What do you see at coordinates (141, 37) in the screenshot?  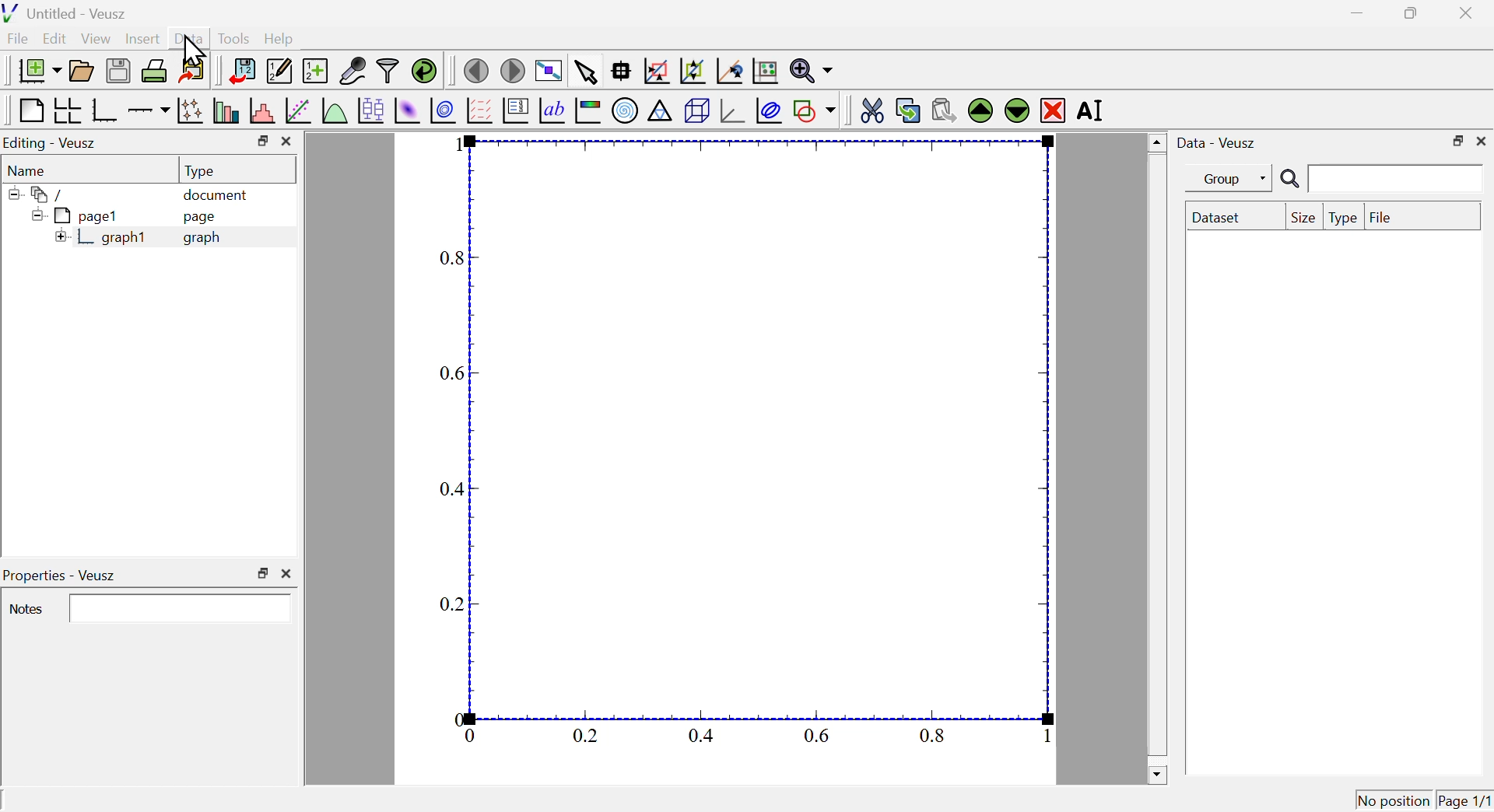 I see `Insert` at bounding box center [141, 37].